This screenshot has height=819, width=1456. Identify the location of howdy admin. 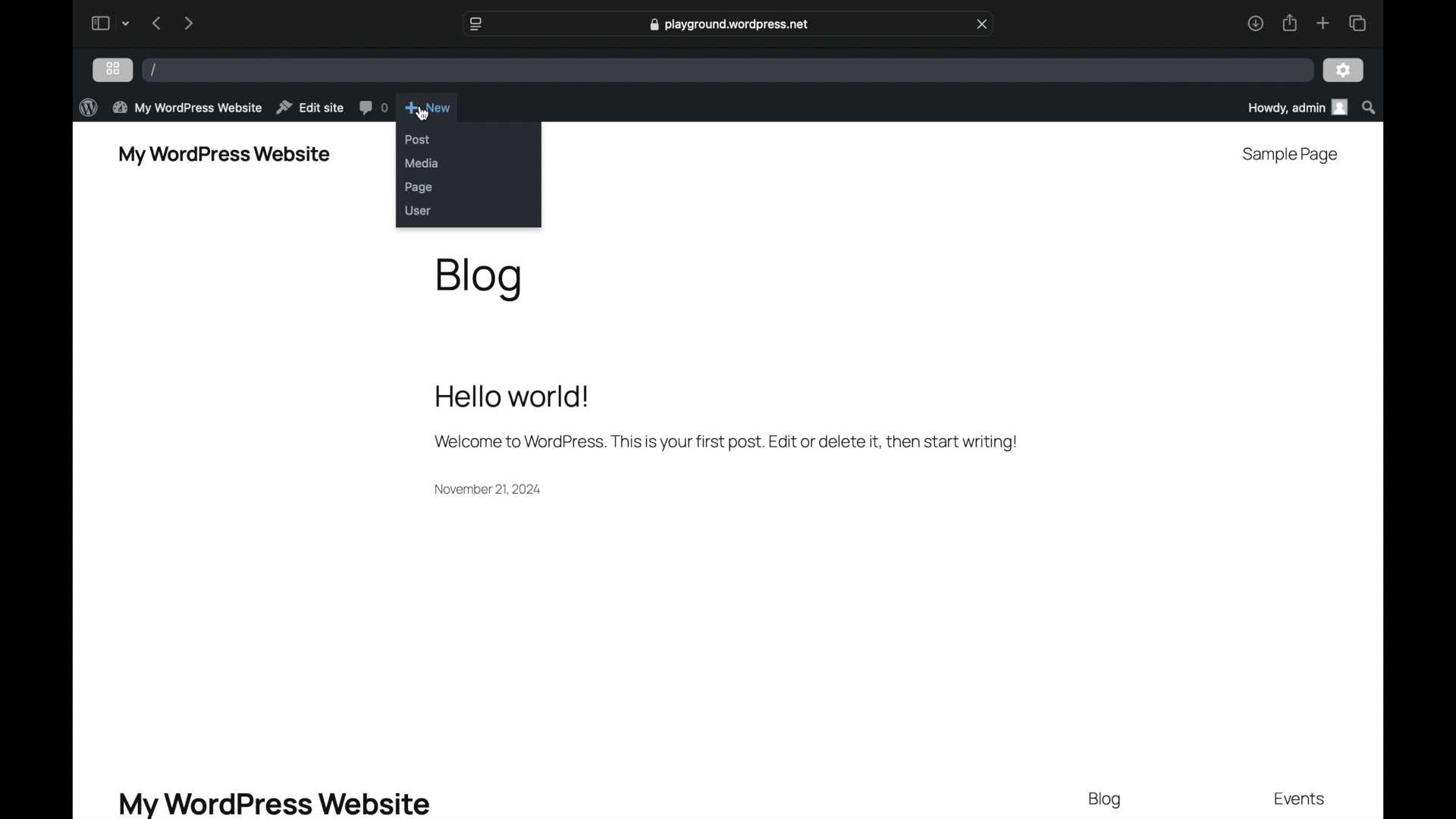
(1298, 108).